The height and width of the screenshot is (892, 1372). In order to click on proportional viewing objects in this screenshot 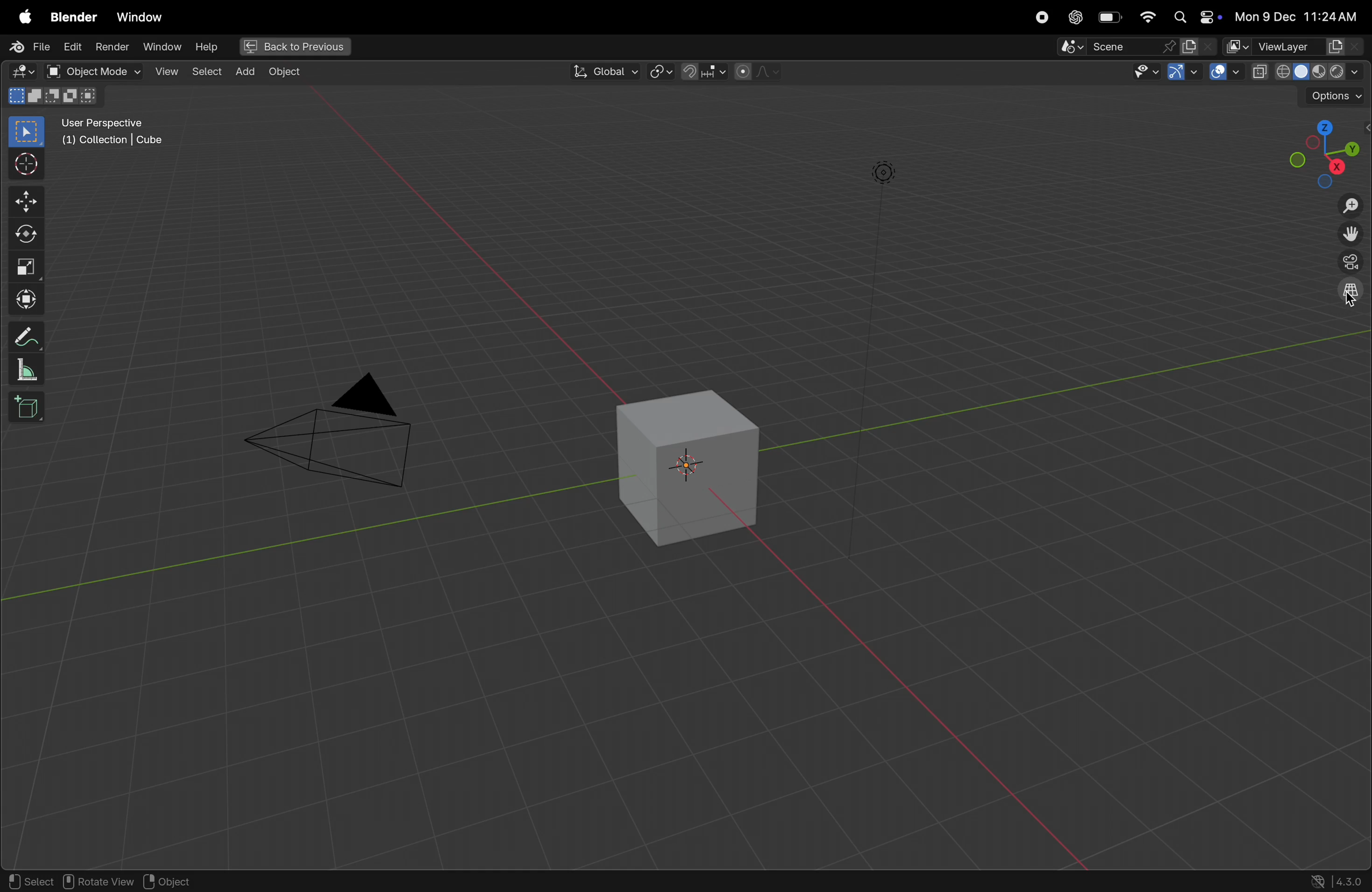, I will do `click(756, 74)`.